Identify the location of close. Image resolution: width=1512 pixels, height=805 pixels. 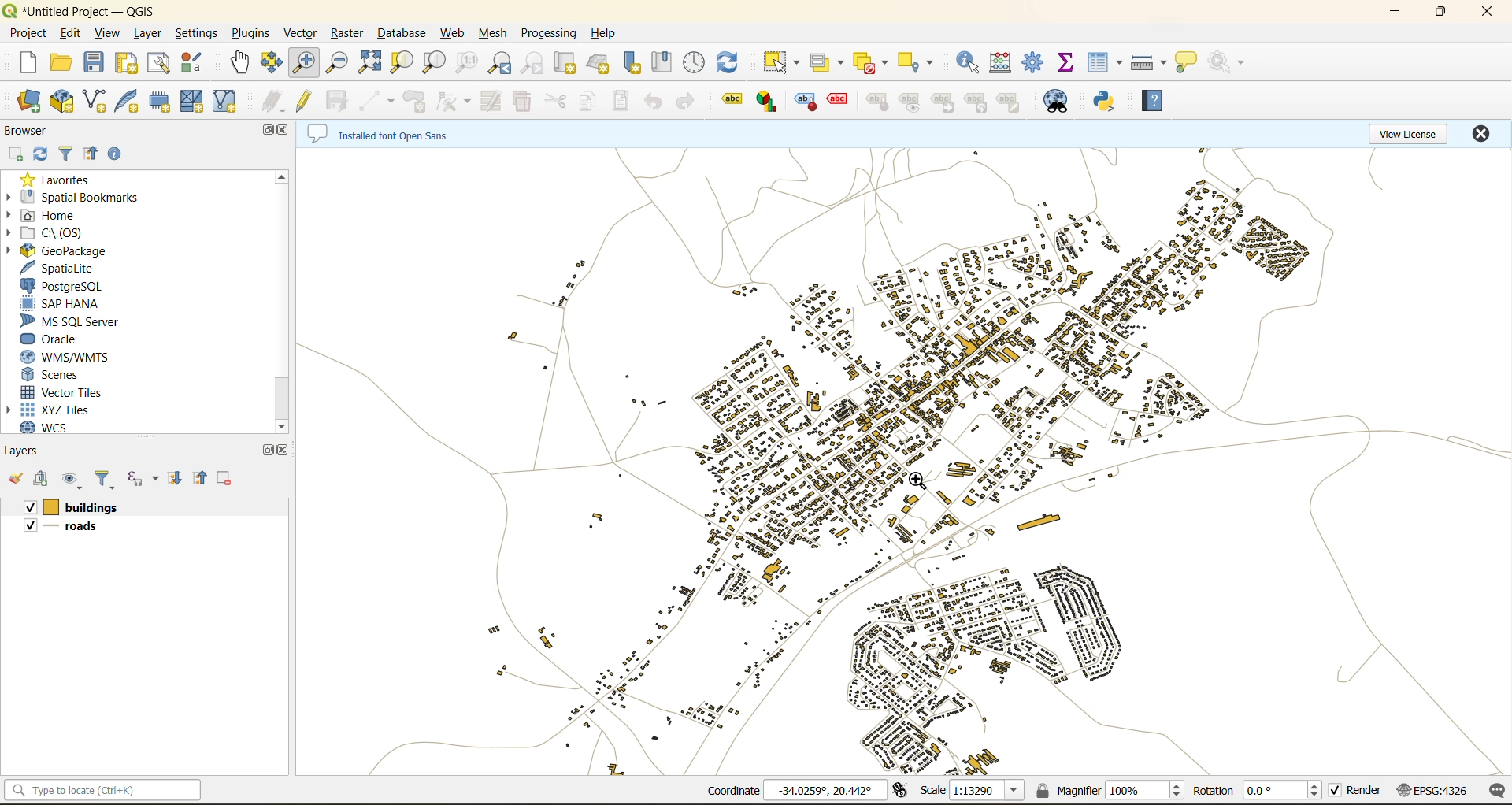
(1486, 12).